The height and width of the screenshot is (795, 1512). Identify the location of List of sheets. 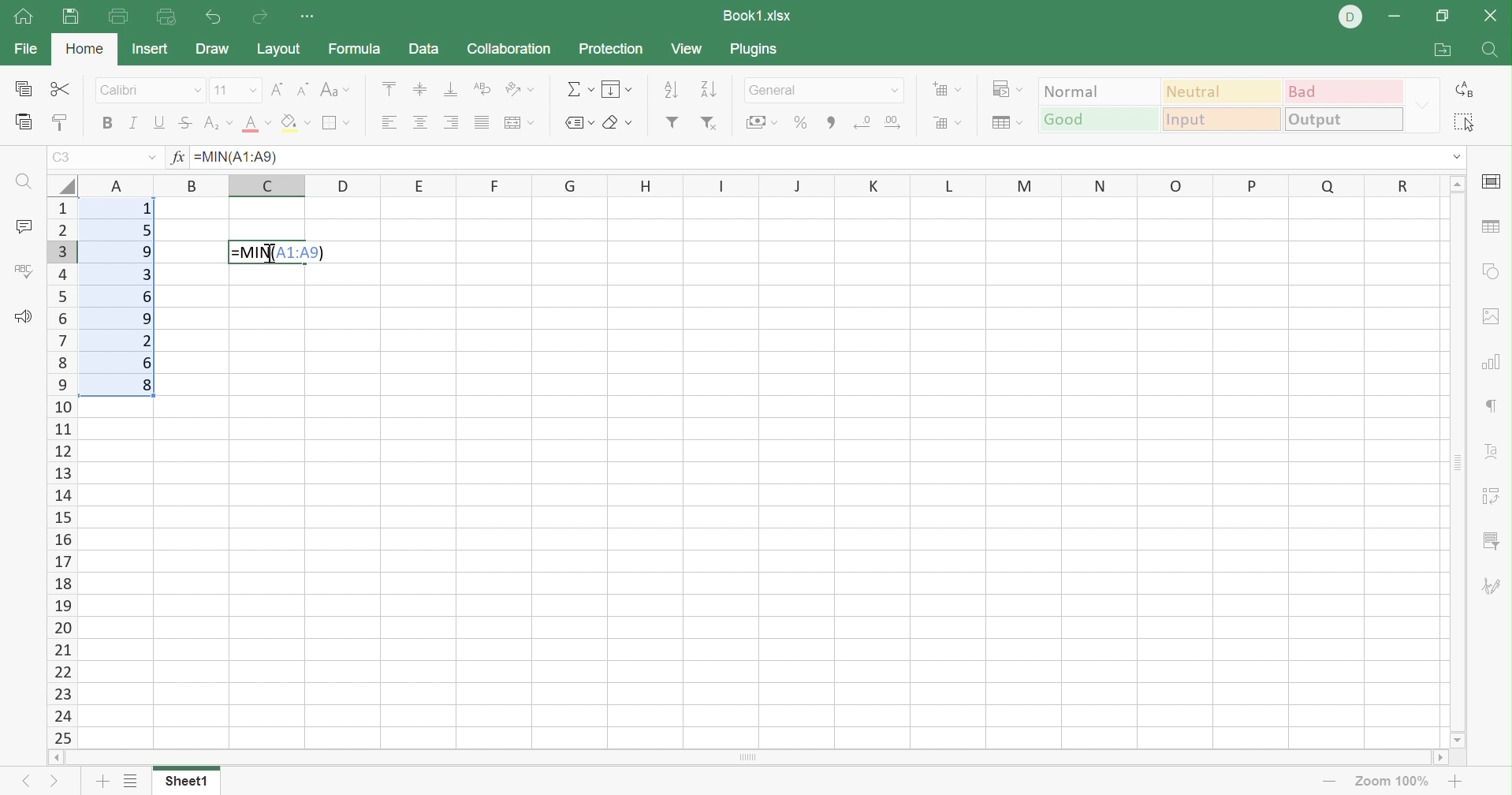
(136, 780).